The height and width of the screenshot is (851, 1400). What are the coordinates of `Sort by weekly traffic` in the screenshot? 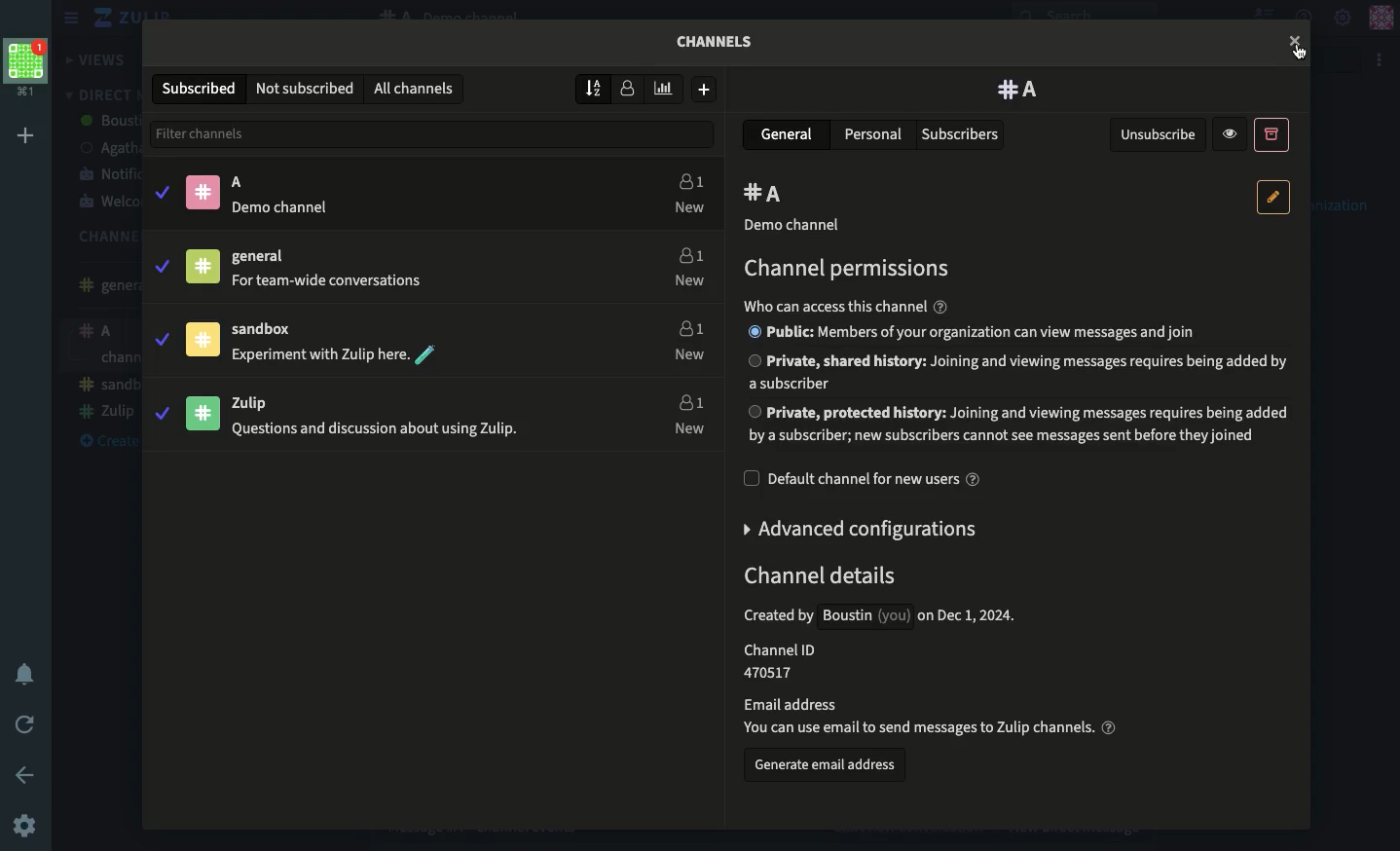 It's located at (666, 89).